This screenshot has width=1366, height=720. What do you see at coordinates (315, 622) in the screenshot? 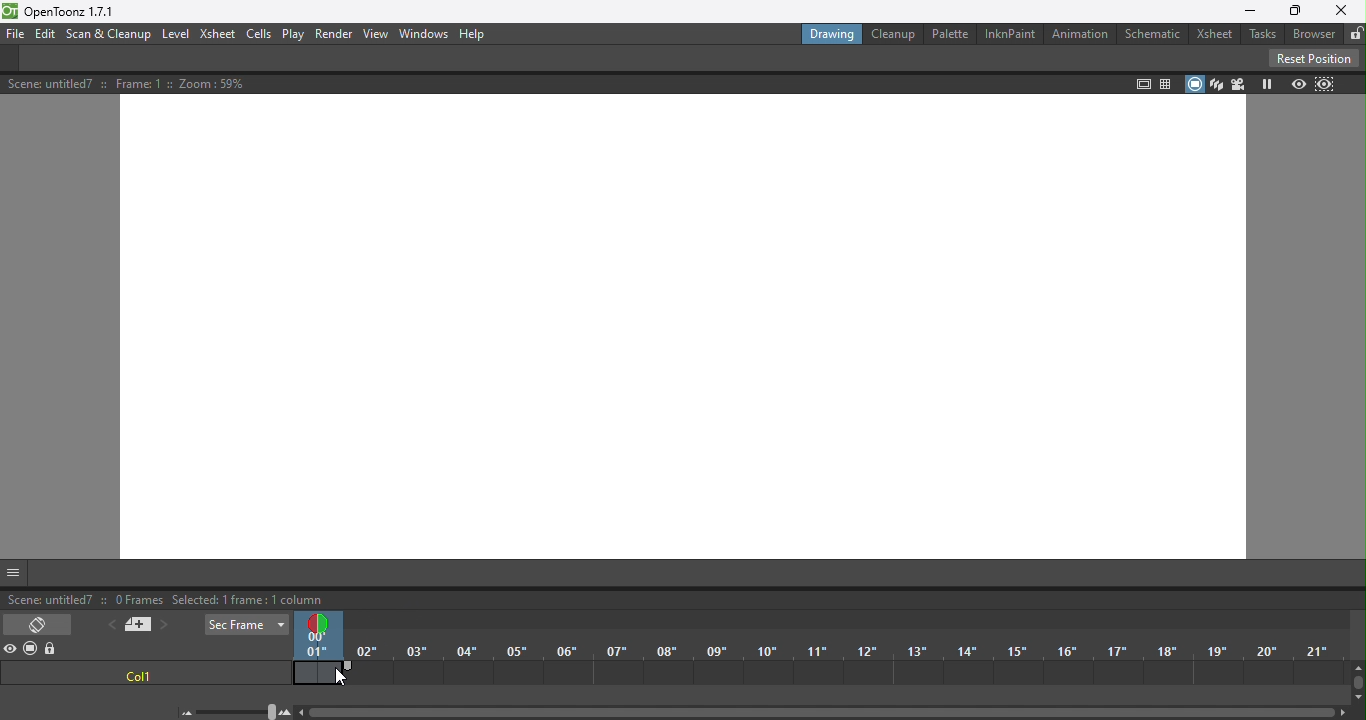
I see `Double click to toggle onion skin` at bounding box center [315, 622].